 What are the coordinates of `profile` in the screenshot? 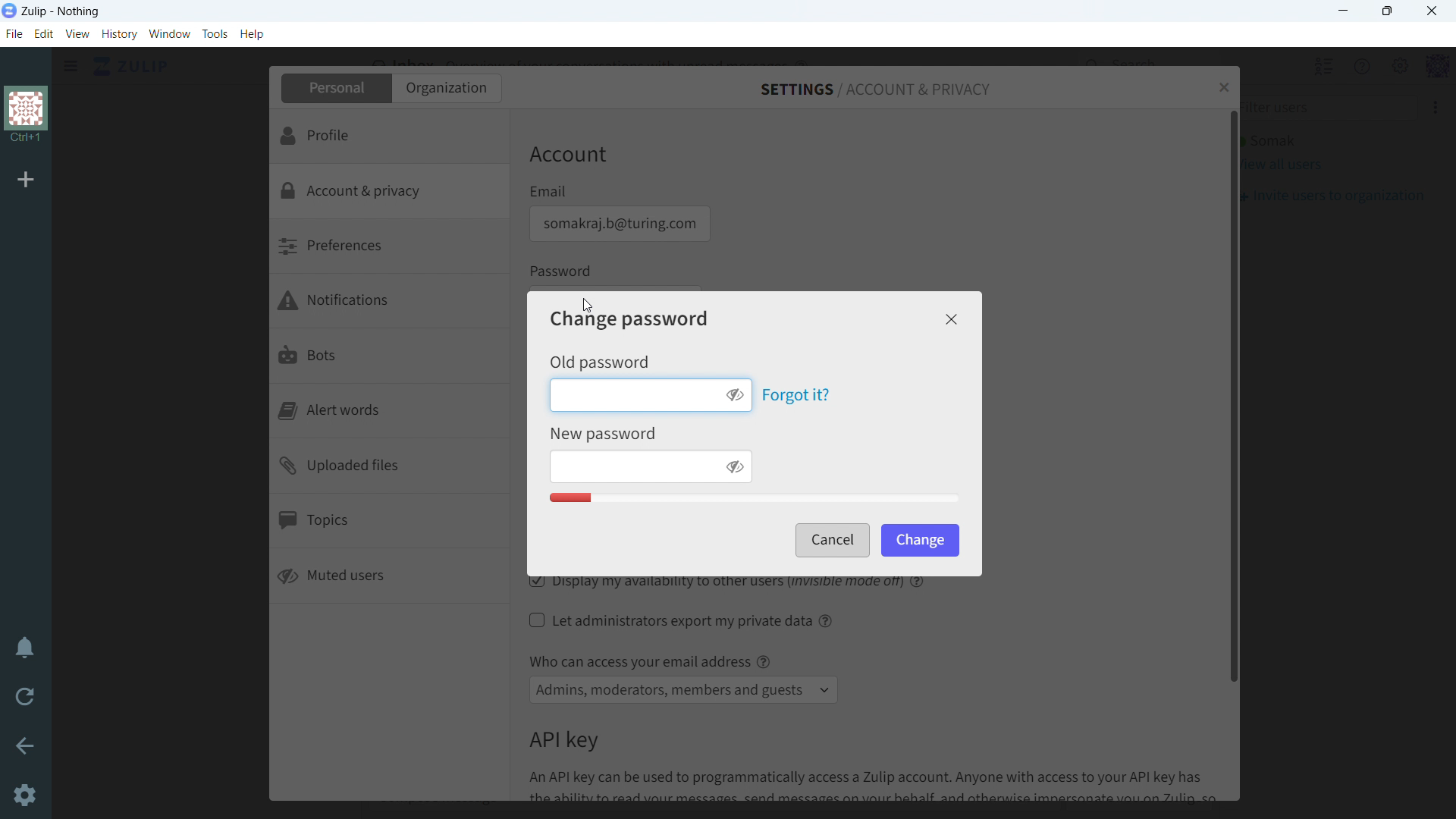 It's located at (388, 136).